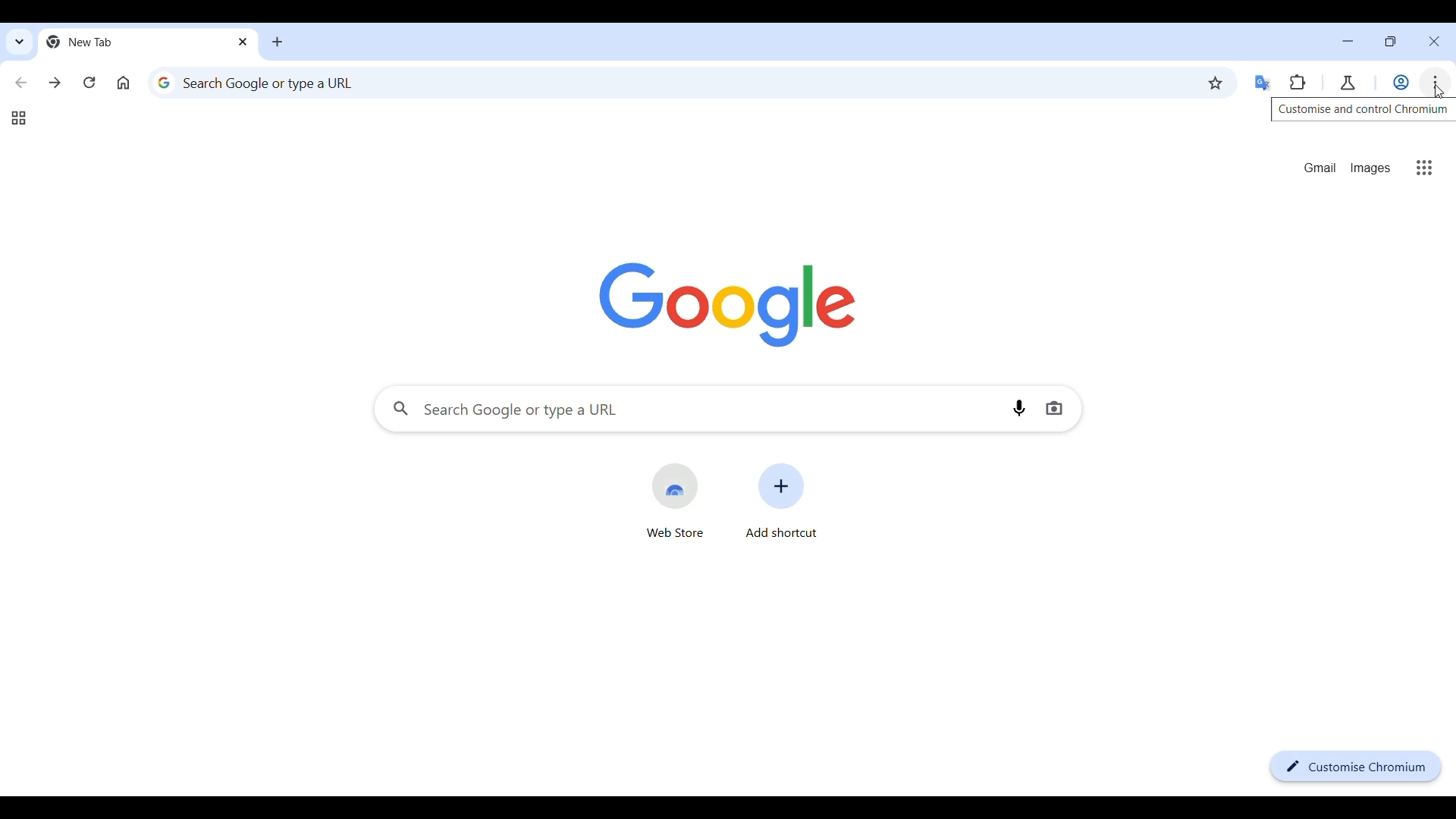 This screenshot has width=1456, height=819. I want to click on new tab, so click(134, 42).